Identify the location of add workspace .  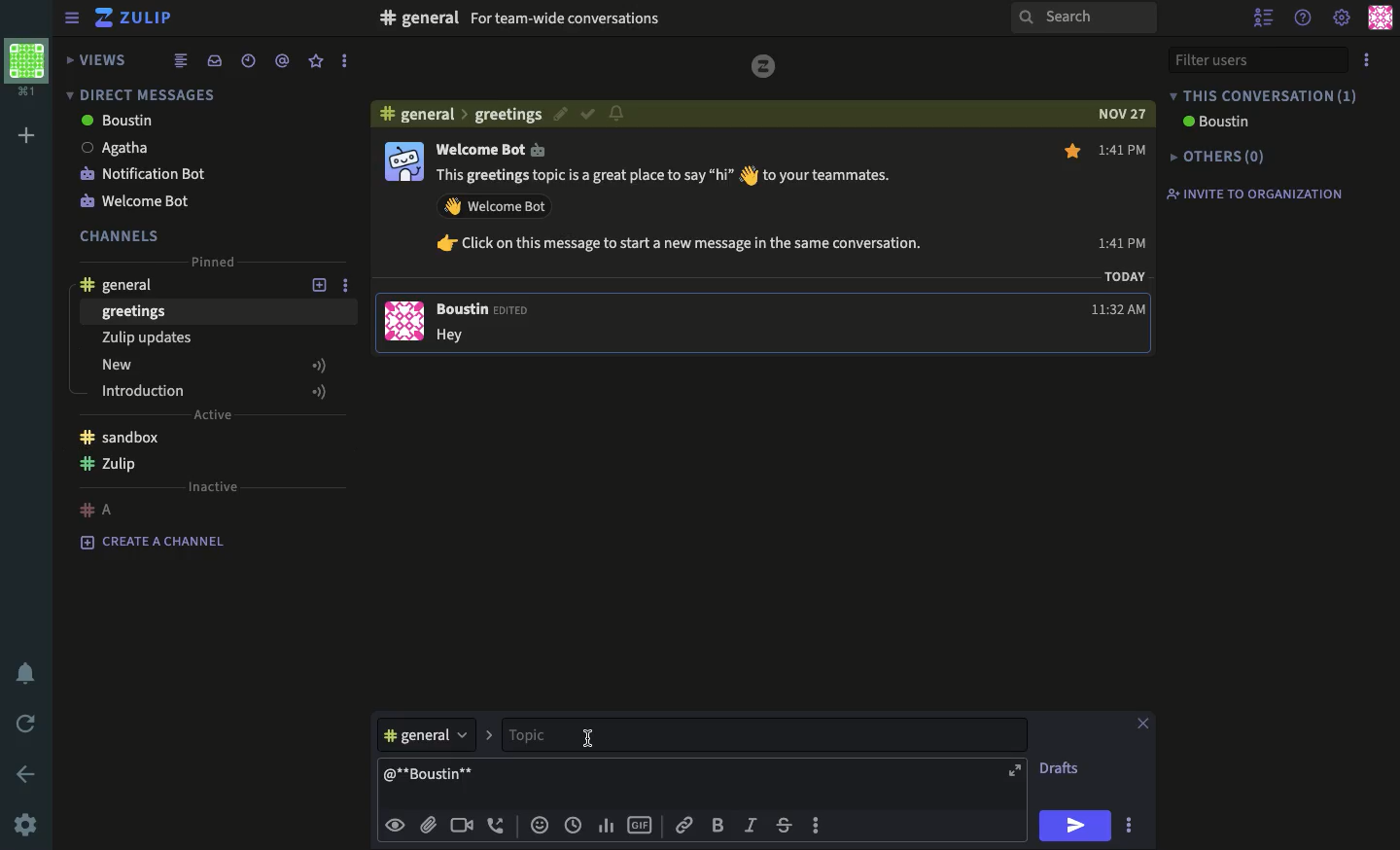
(28, 135).